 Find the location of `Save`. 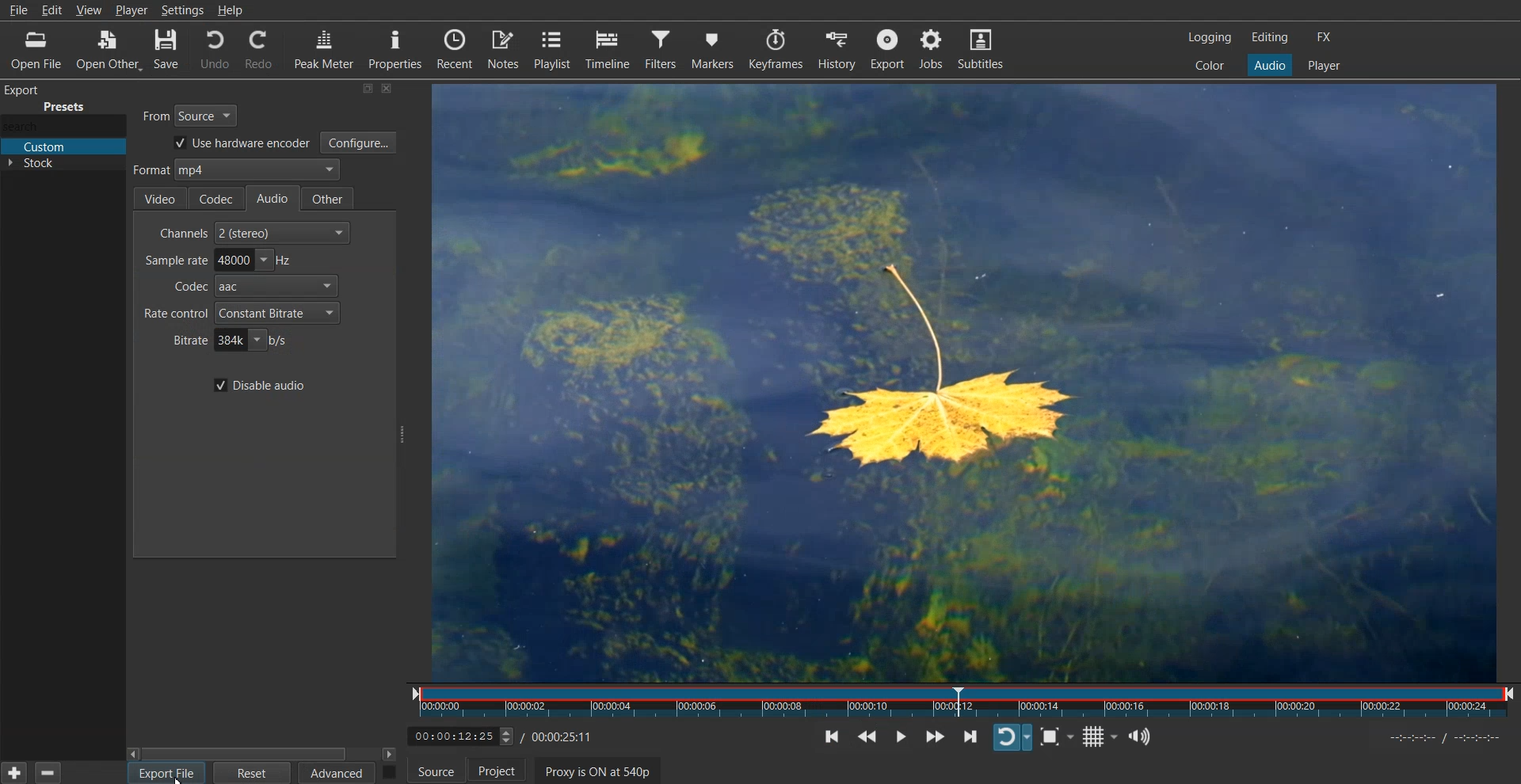

Save is located at coordinates (166, 51).